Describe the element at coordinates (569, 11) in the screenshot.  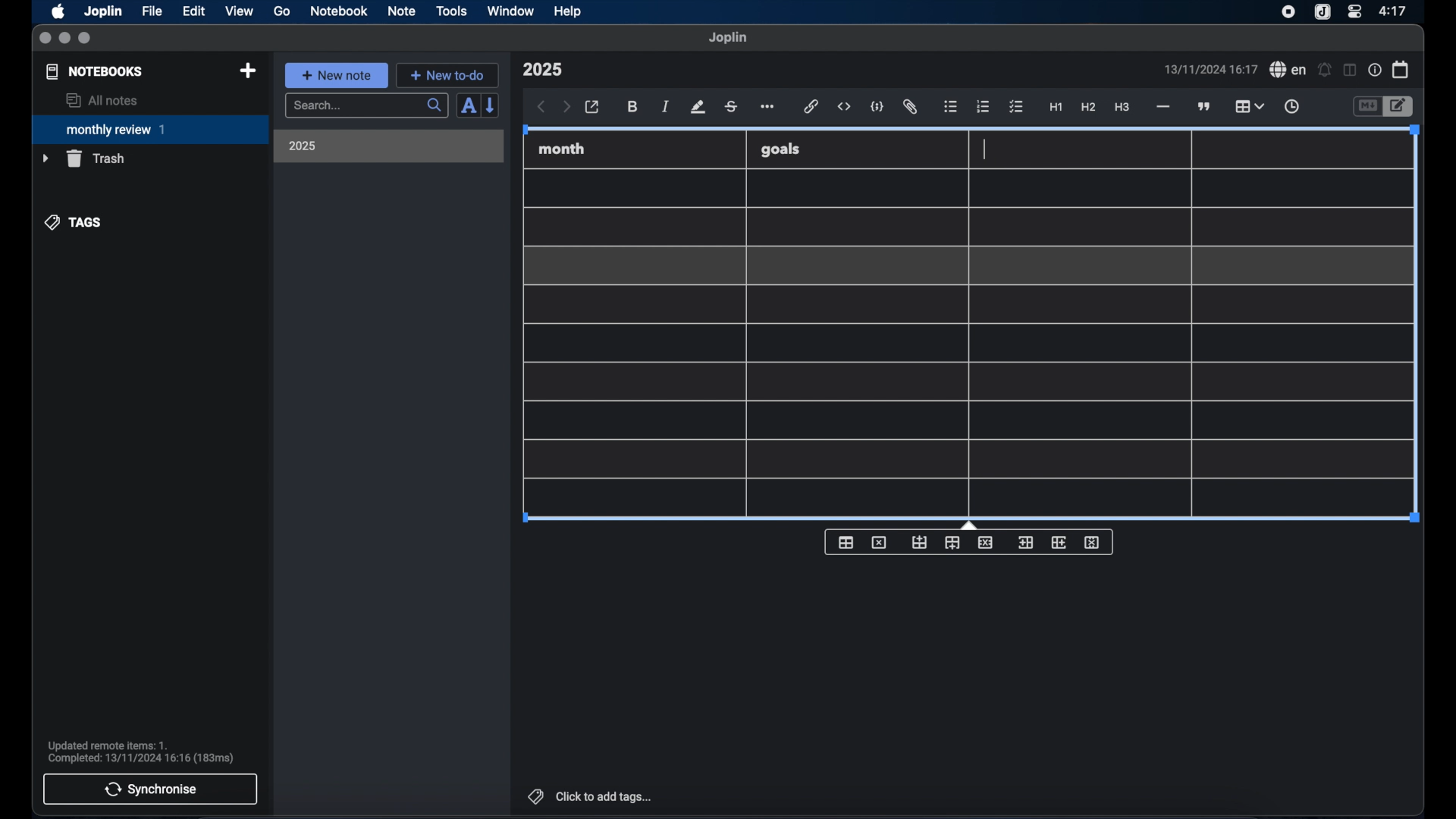
I see `help` at that location.